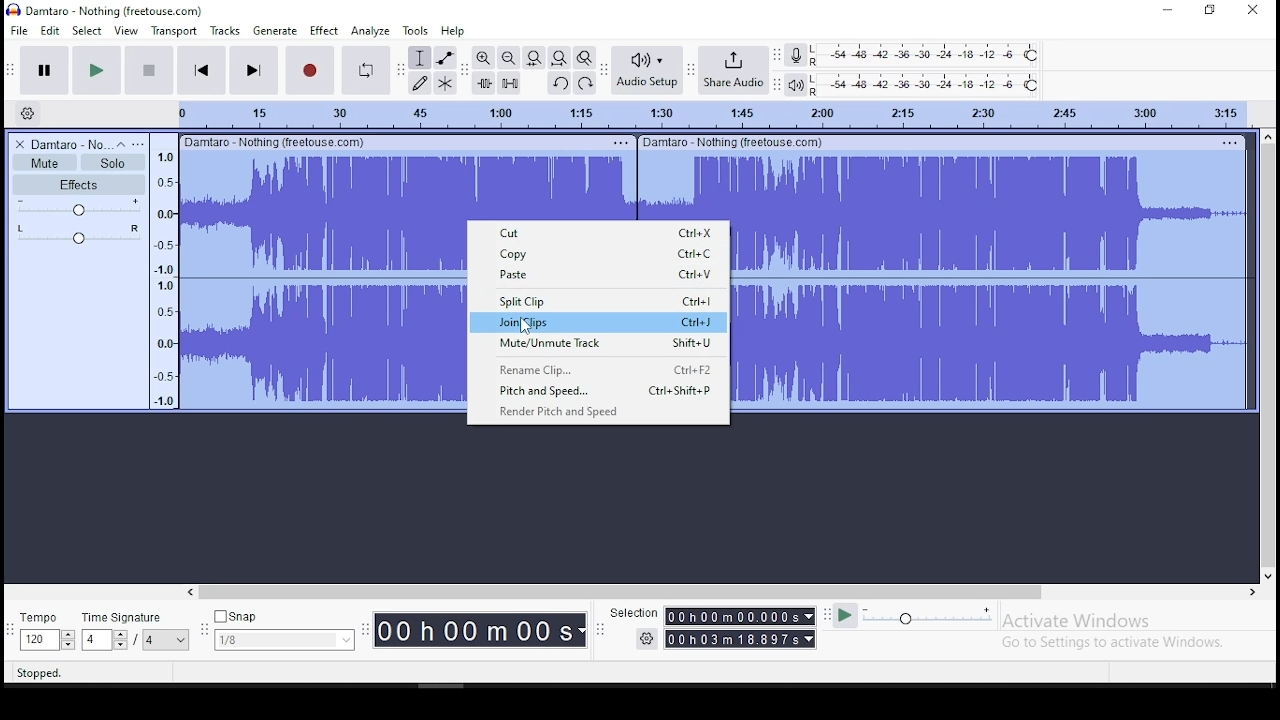  Describe the element at coordinates (740, 639) in the screenshot. I see `time menu` at that location.